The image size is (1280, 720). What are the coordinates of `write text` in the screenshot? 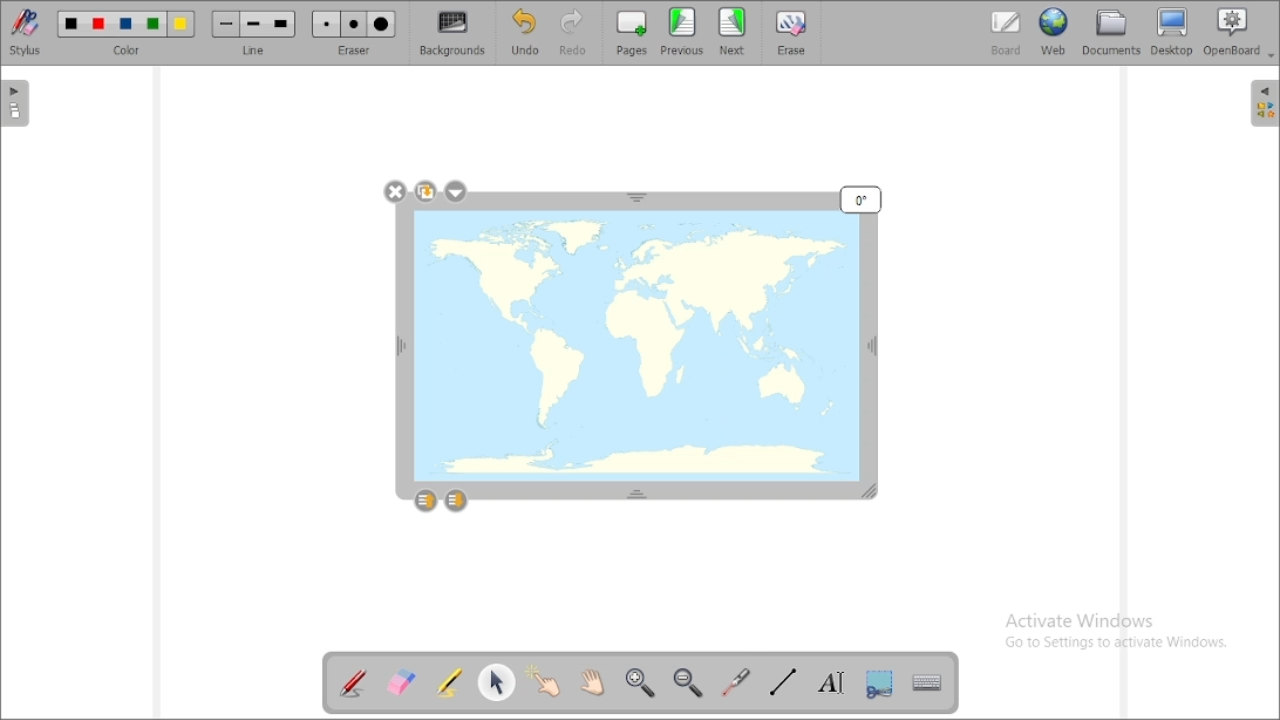 It's located at (832, 683).